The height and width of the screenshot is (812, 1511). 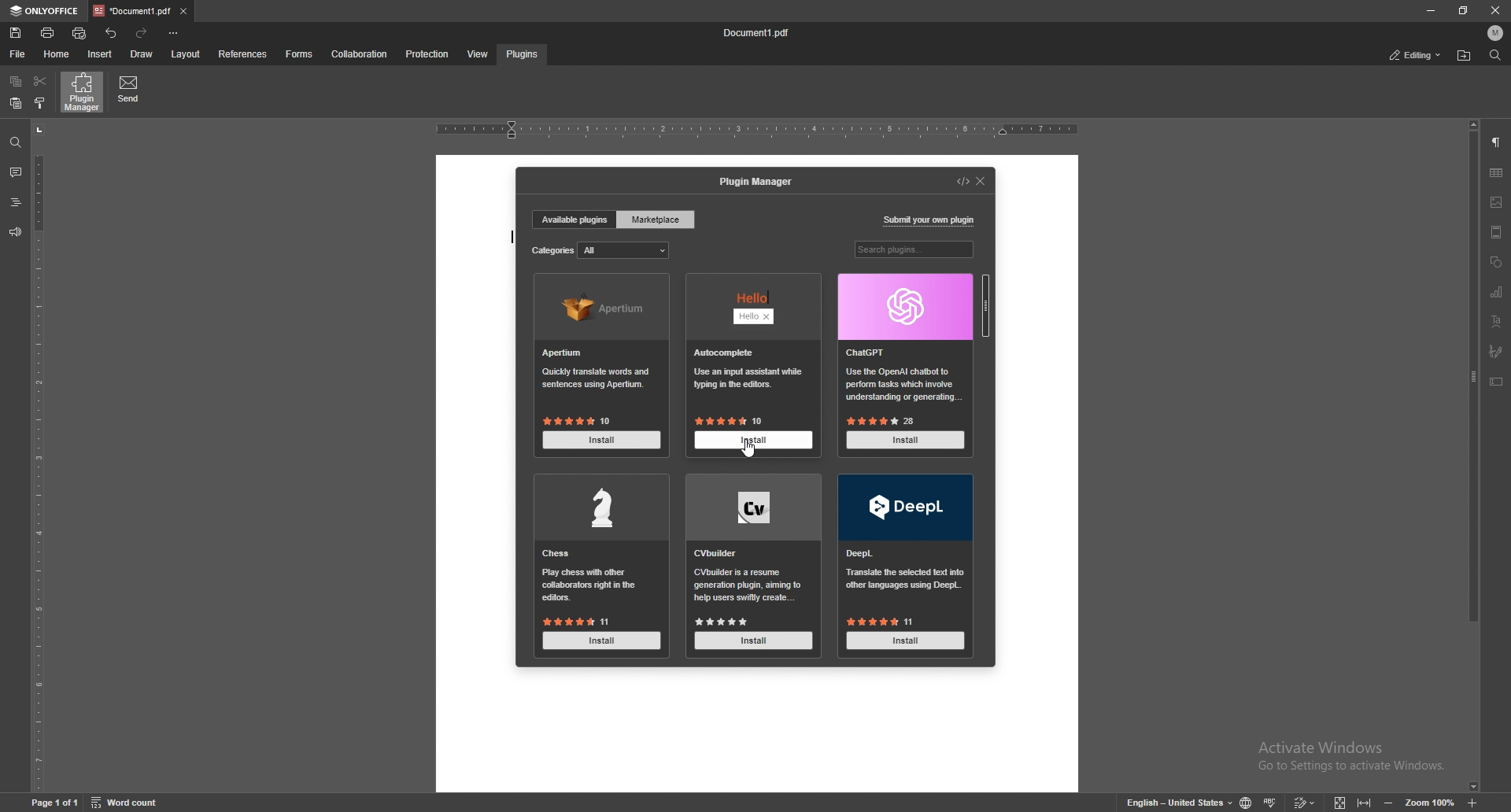 I want to click on chart, so click(x=1498, y=293).